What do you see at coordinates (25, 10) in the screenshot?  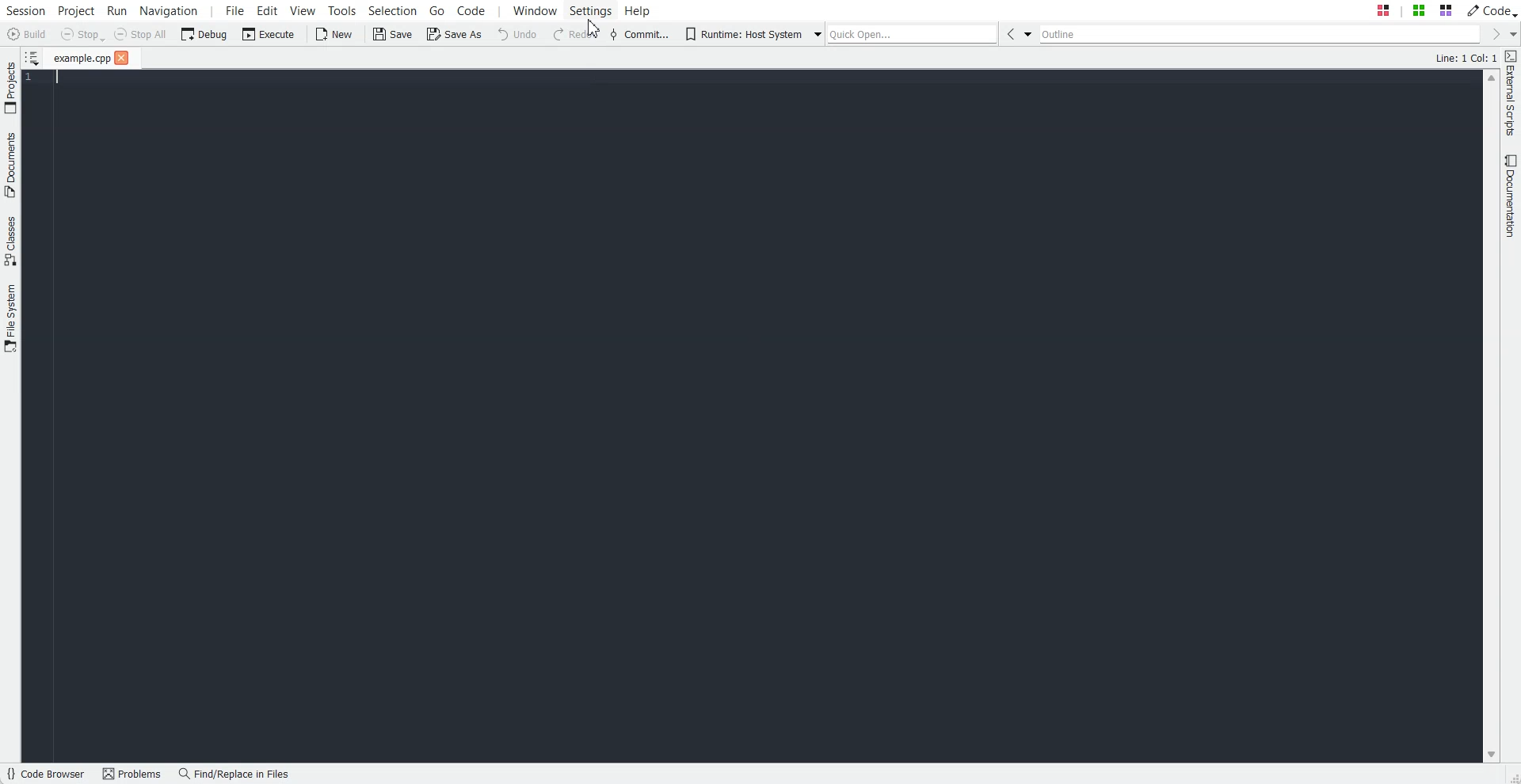 I see `Session` at bounding box center [25, 10].